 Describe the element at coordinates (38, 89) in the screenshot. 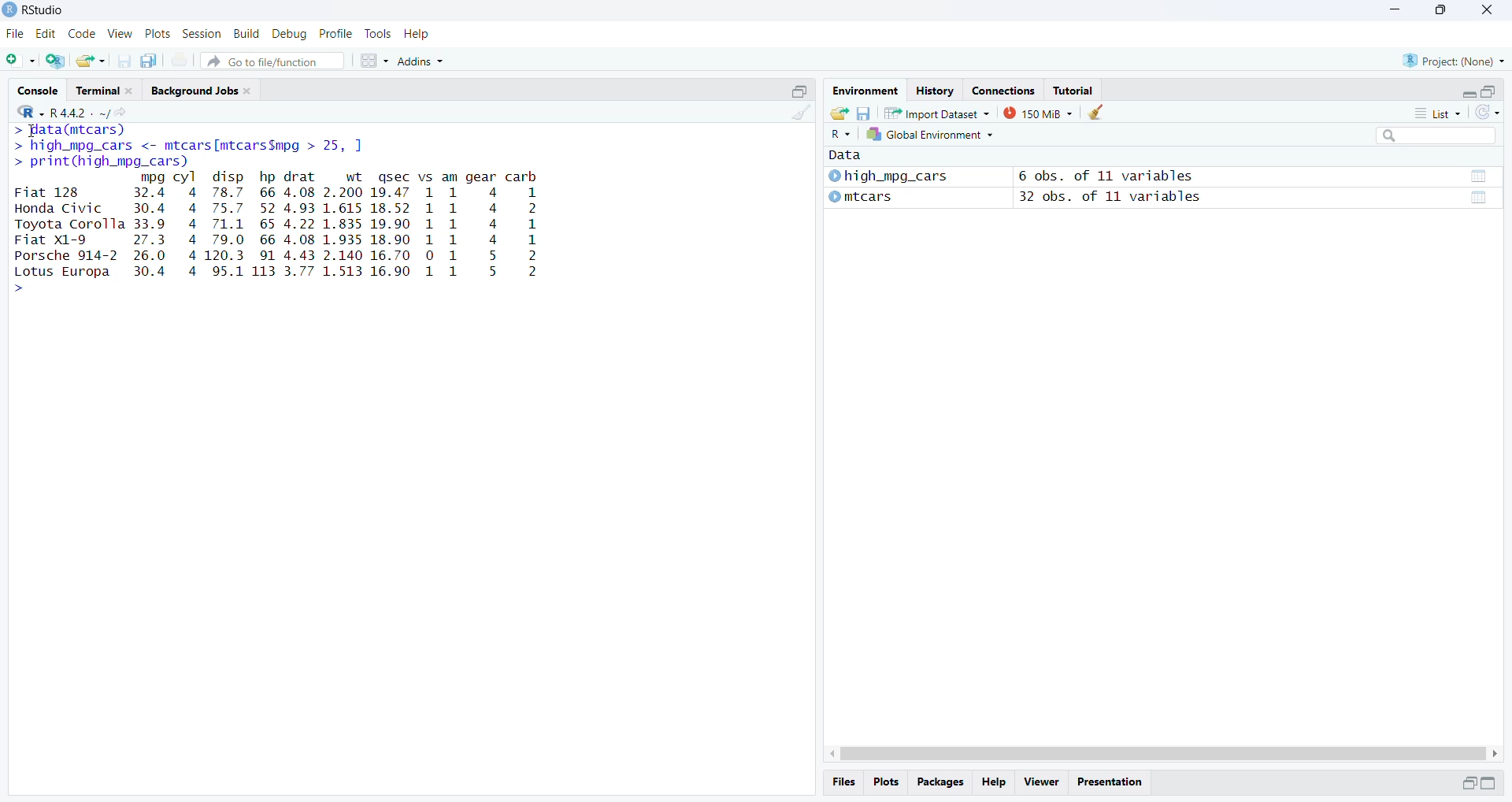

I see `Console` at that location.